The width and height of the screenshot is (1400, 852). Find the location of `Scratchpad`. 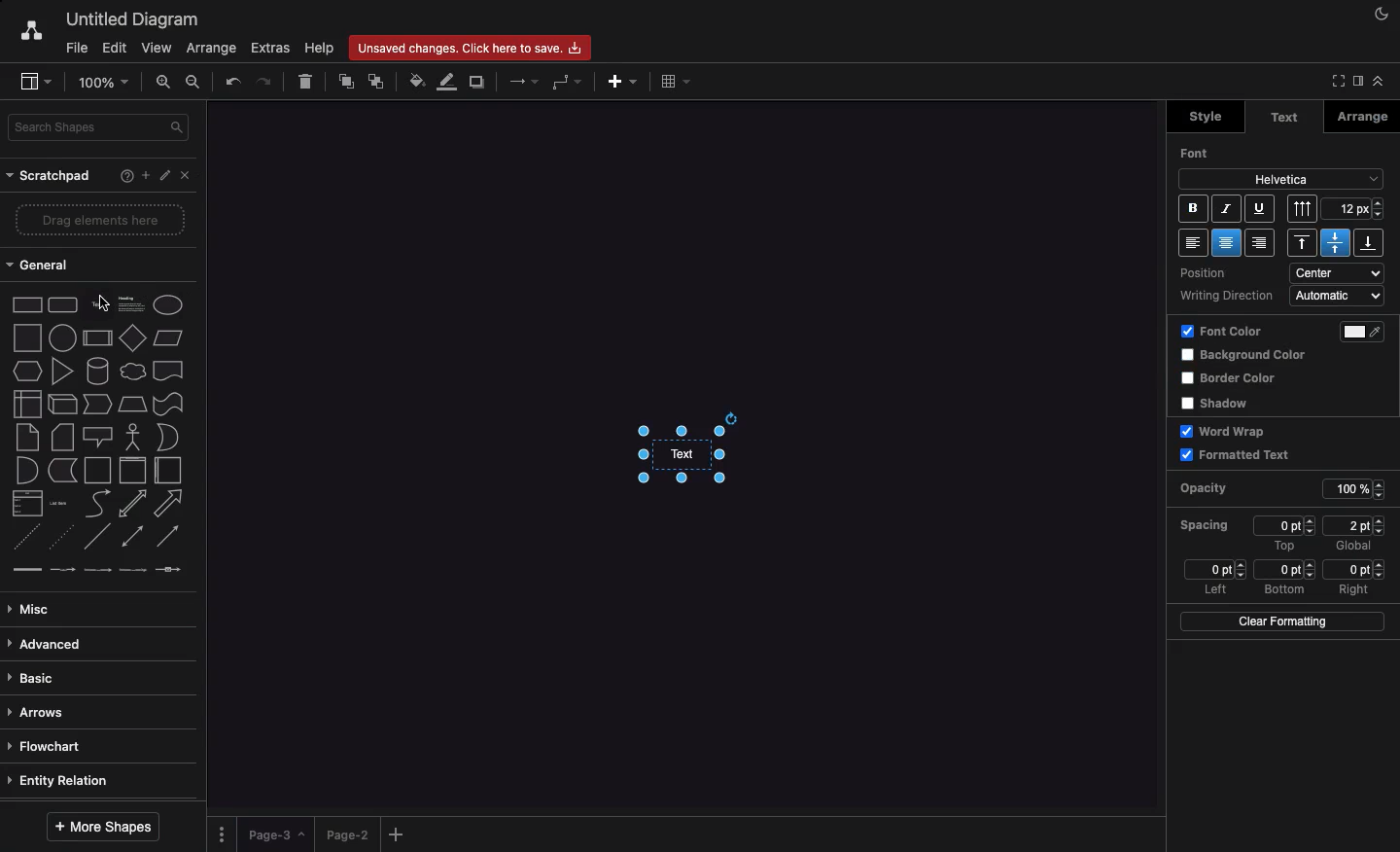

Scratchpad is located at coordinates (52, 177).